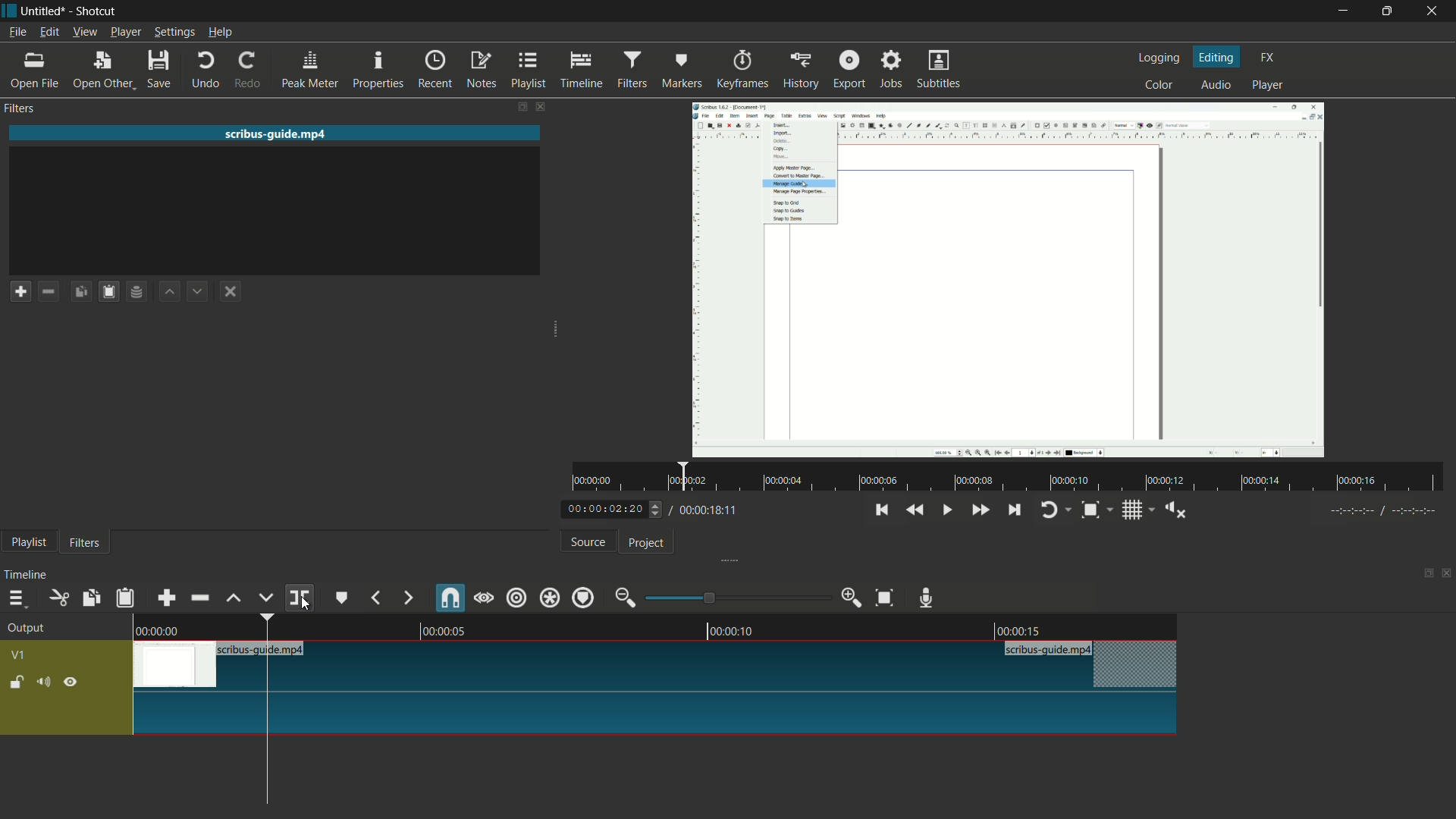 Image resolution: width=1456 pixels, height=819 pixels. Describe the element at coordinates (924, 598) in the screenshot. I see `record audio` at that location.